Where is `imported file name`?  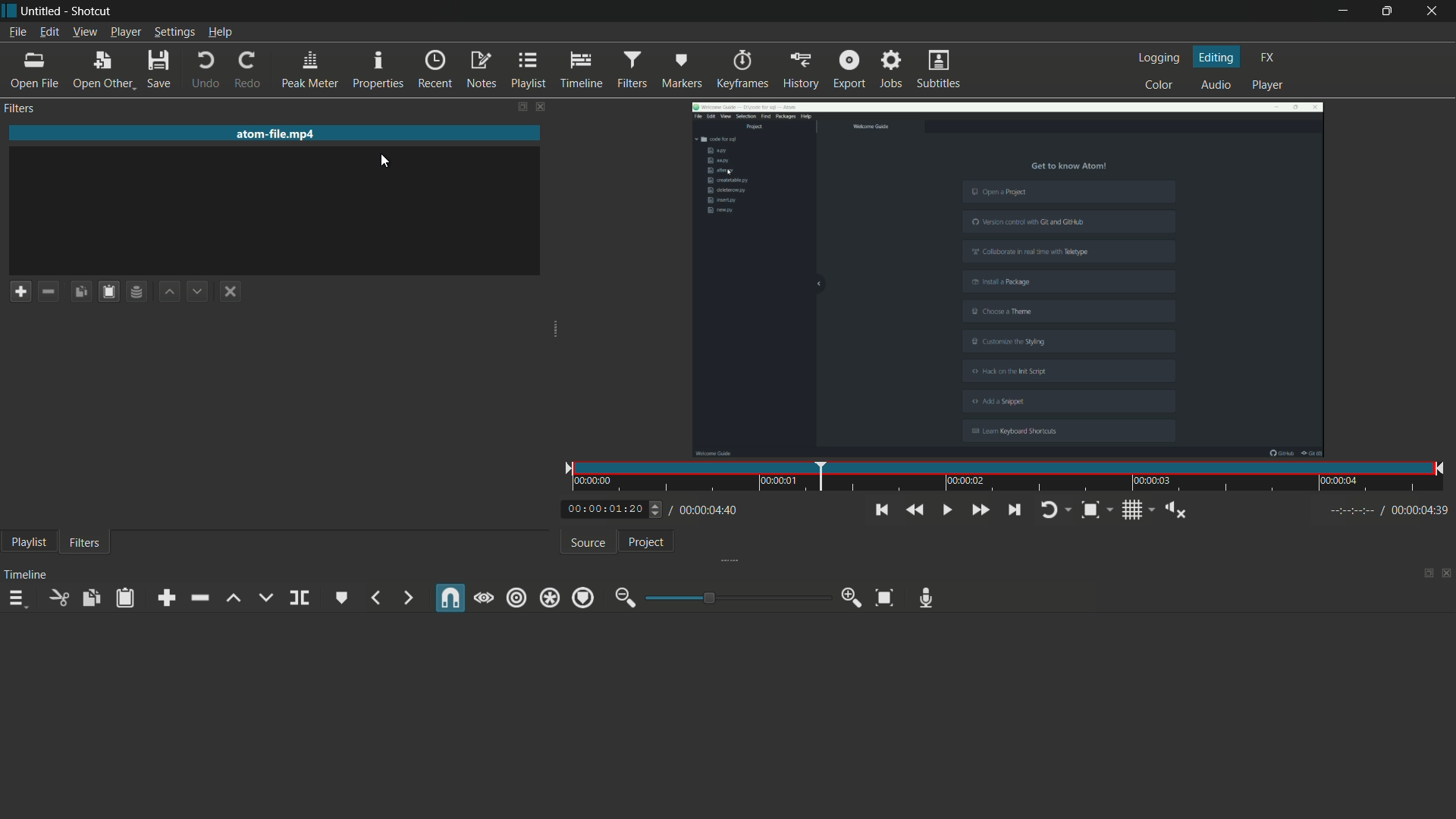
imported file name is located at coordinates (276, 134).